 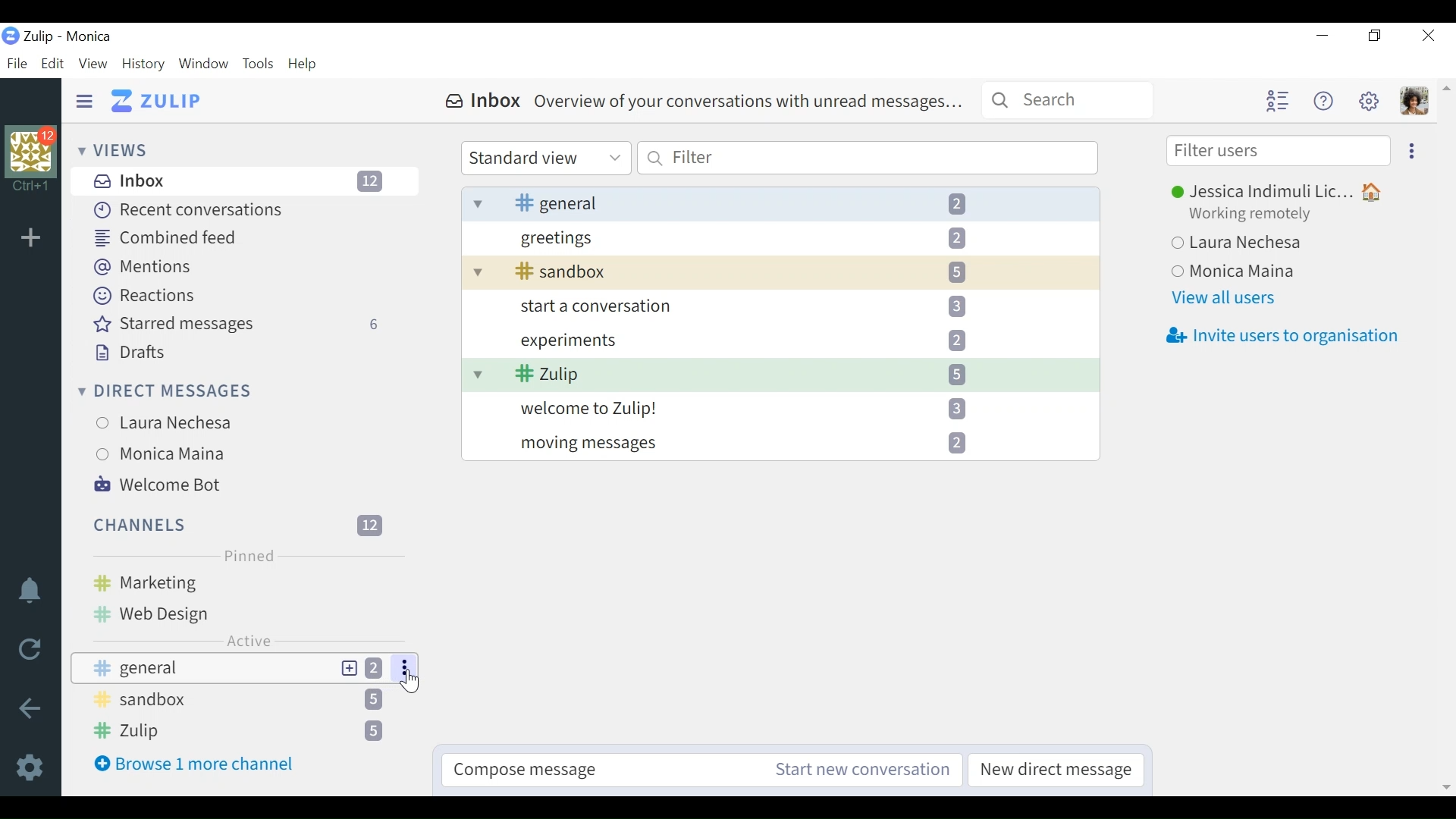 I want to click on Window, so click(x=204, y=65).